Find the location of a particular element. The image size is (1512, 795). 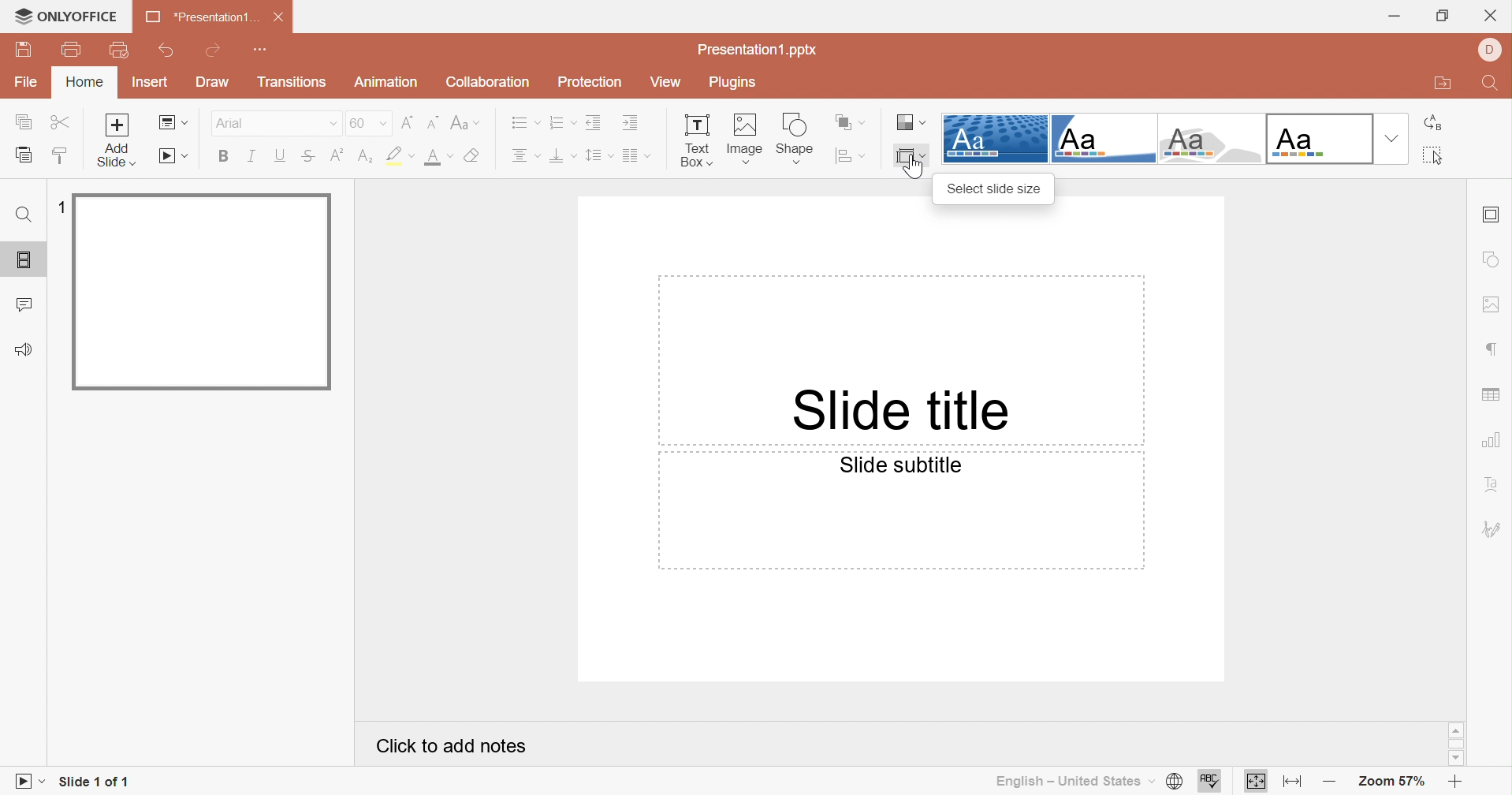

Clear style is located at coordinates (474, 154).